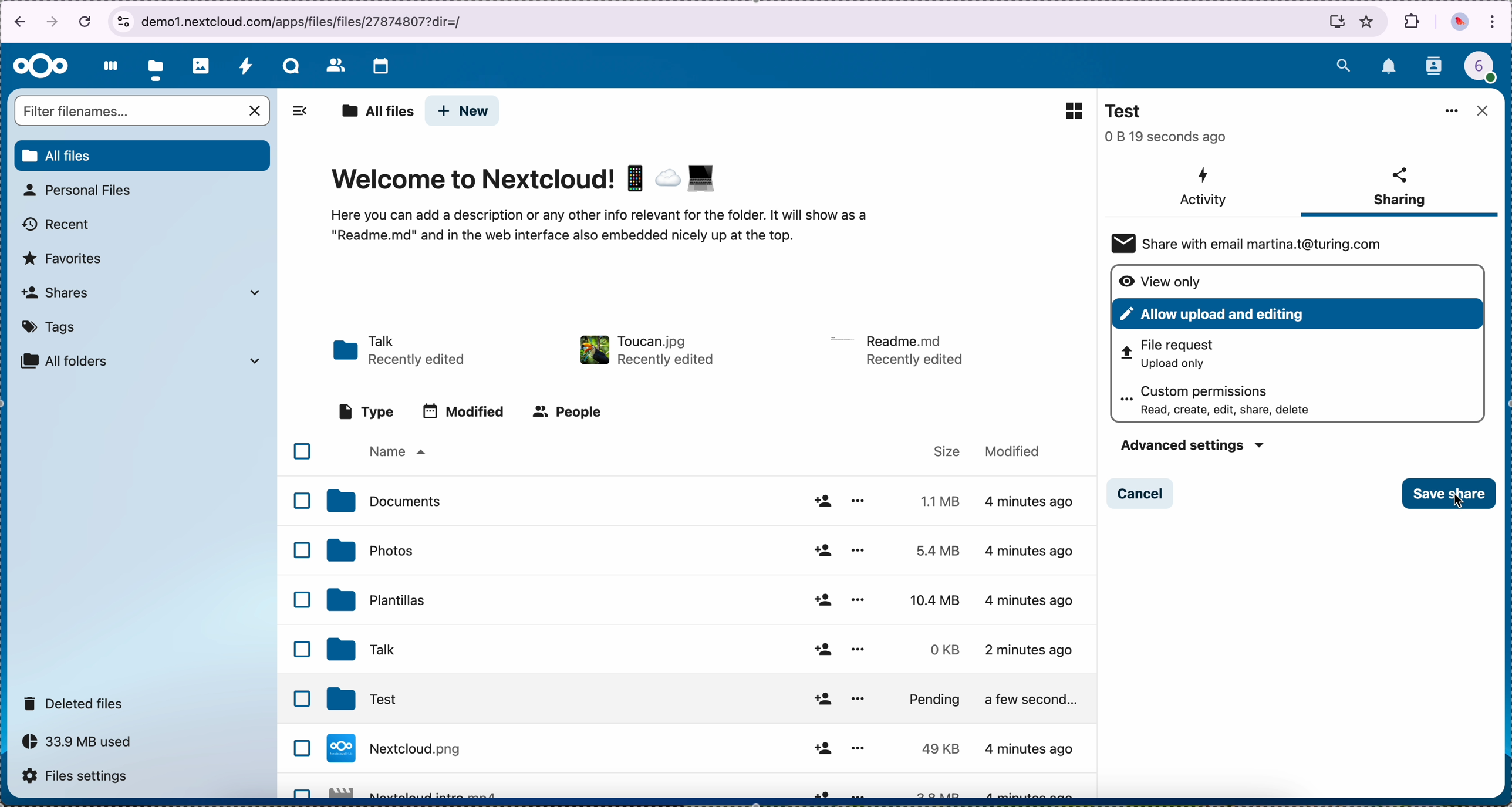 This screenshot has height=807, width=1512. What do you see at coordinates (366, 411) in the screenshot?
I see `type` at bounding box center [366, 411].